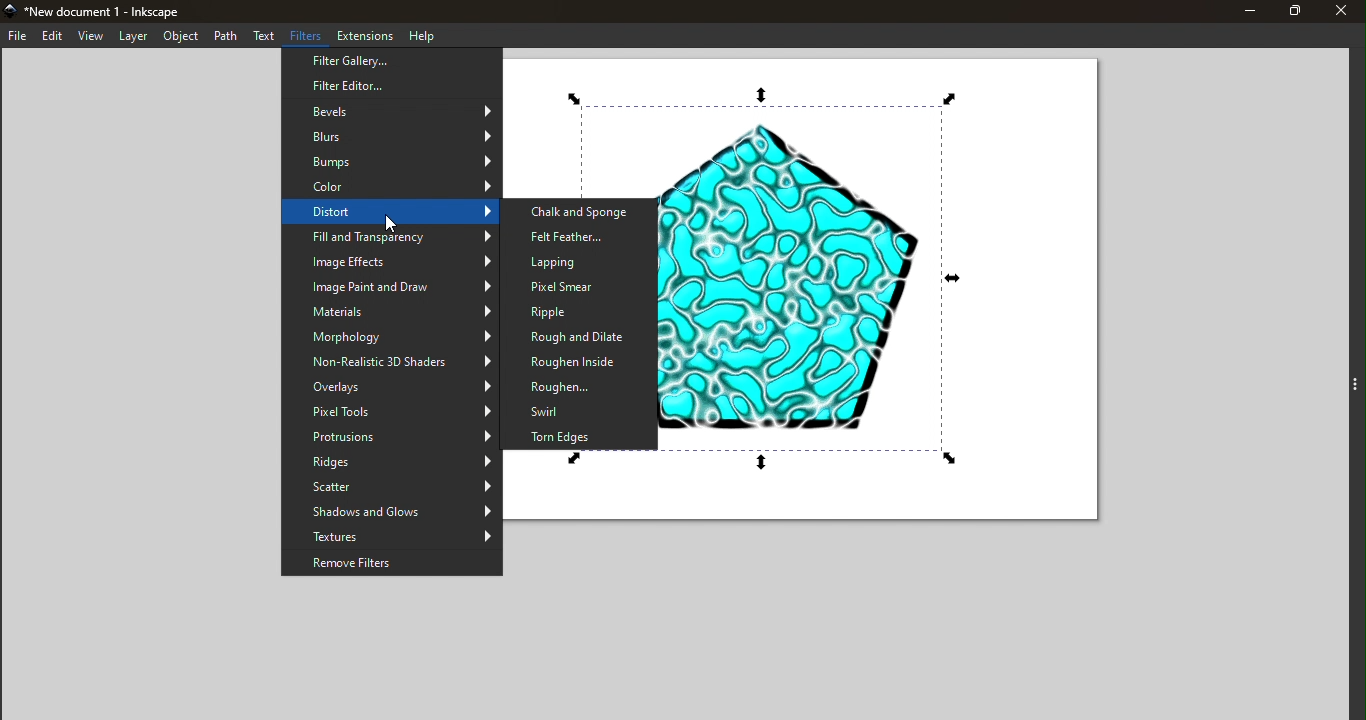 The width and height of the screenshot is (1366, 720). Describe the element at coordinates (575, 260) in the screenshot. I see `Lapping` at that location.